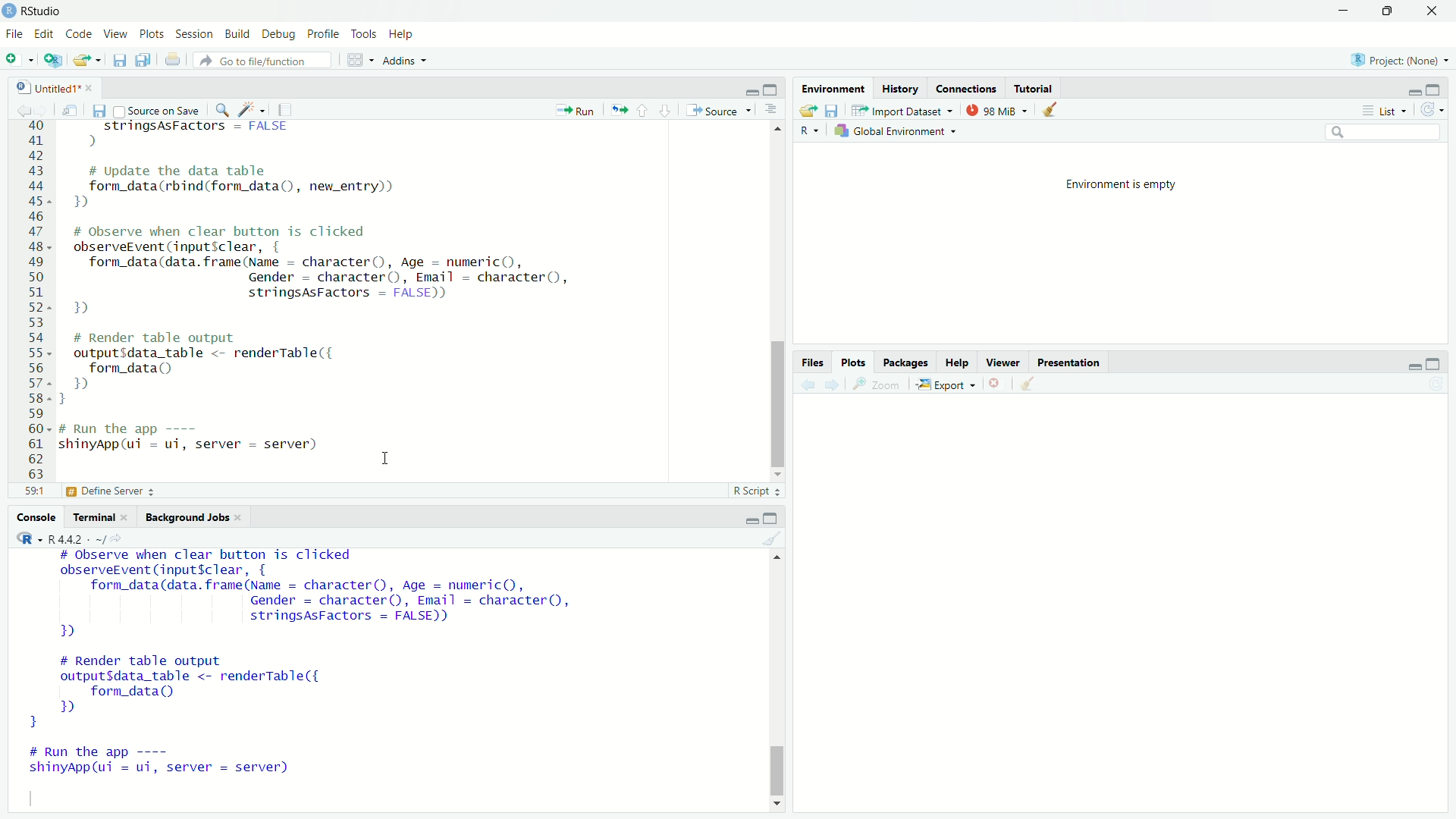 Image resolution: width=1456 pixels, height=819 pixels. What do you see at coordinates (33, 303) in the screenshot?
I see `serial numbers` at bounding box center [33, 303].